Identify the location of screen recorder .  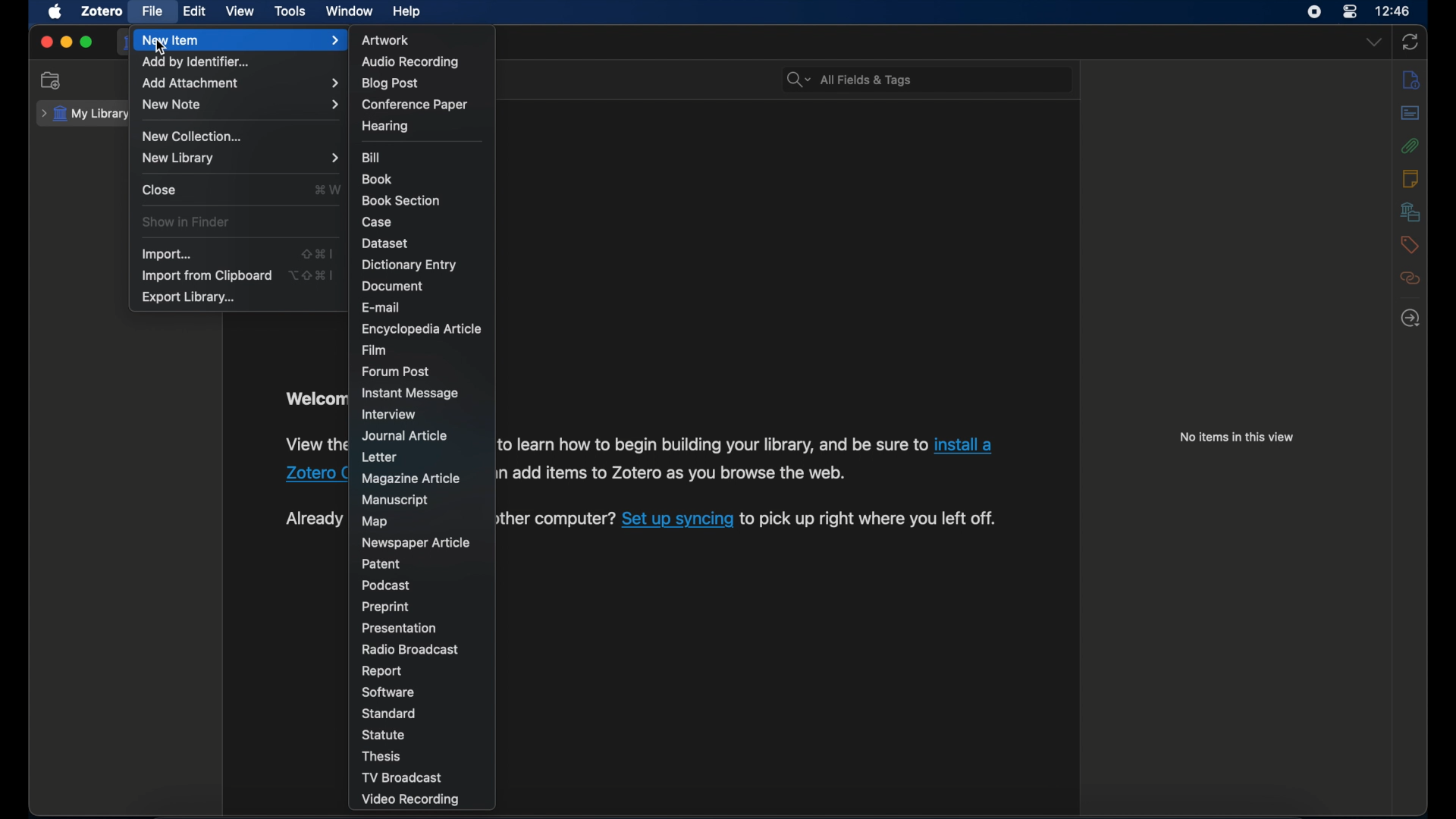
(1313, 12).